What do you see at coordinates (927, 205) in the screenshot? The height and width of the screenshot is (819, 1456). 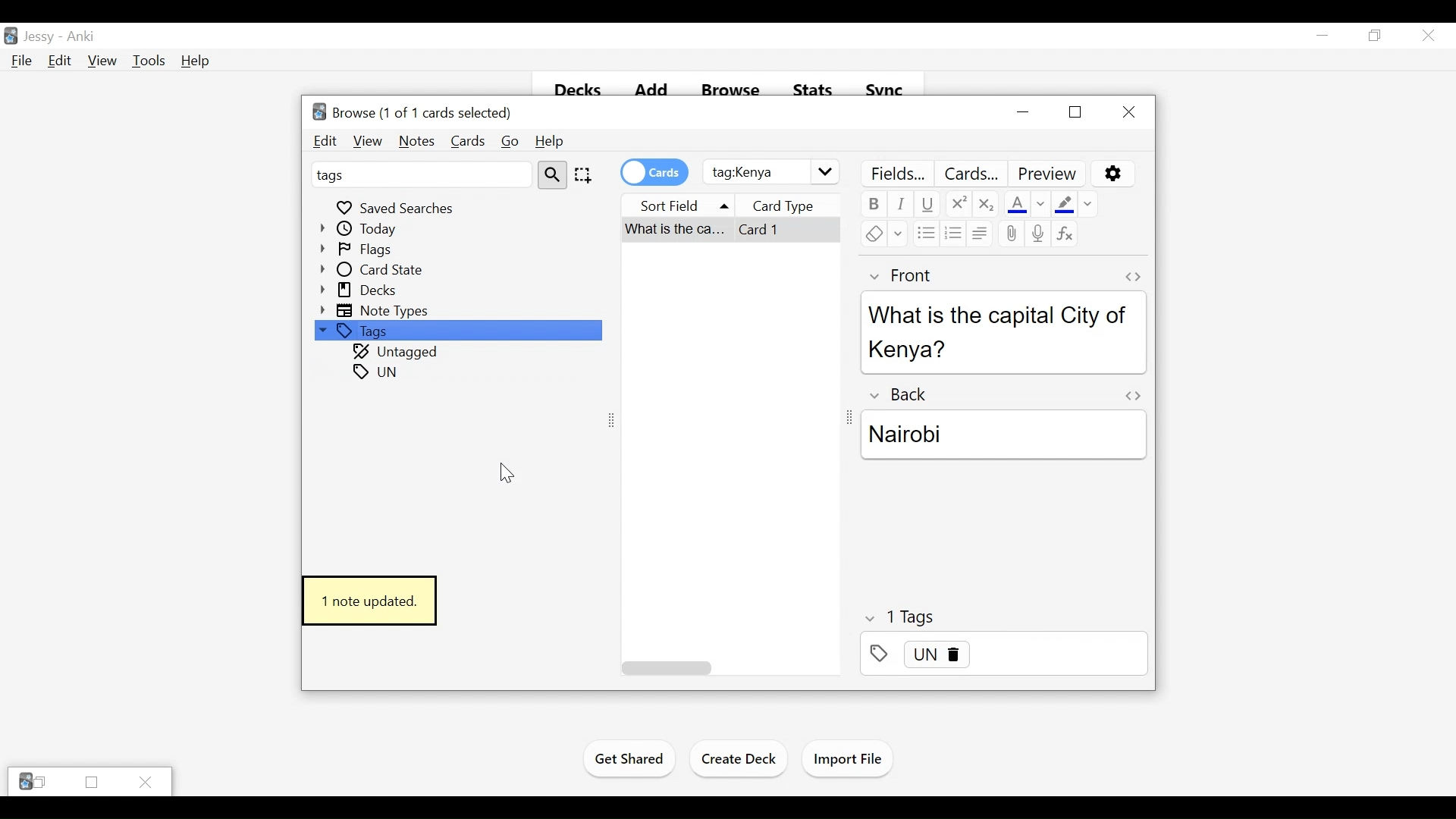 I see `Underline` at bounding box center [927, 205].